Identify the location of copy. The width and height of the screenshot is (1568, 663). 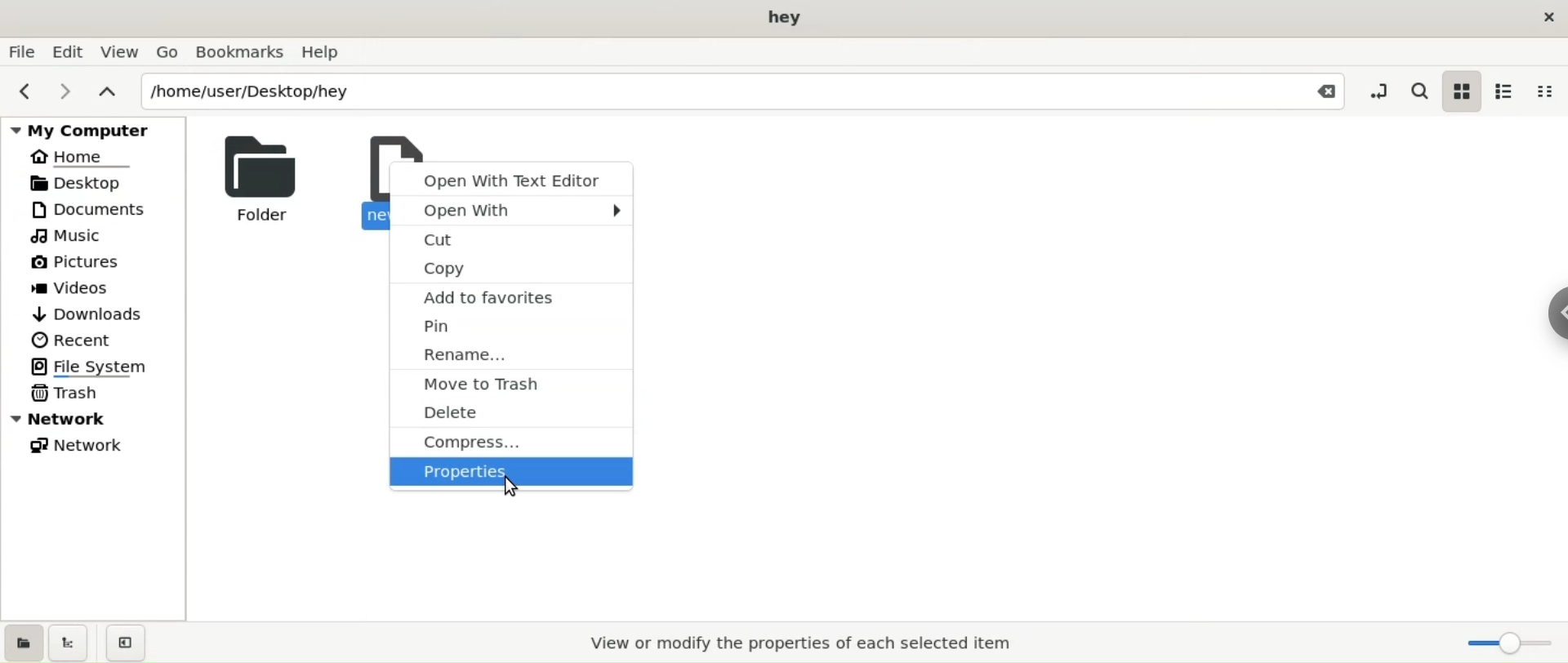
(512, 265).